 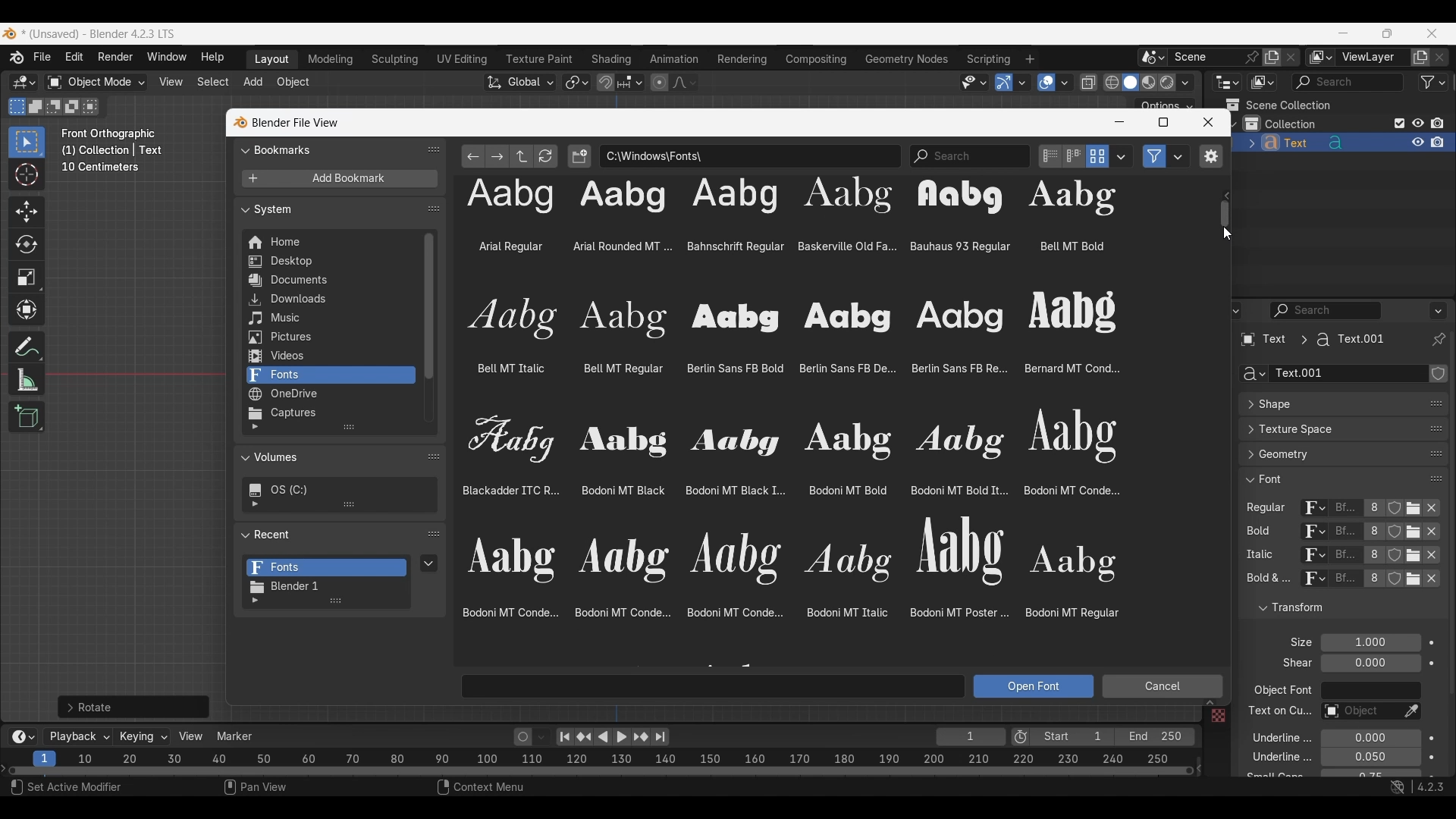 What do you see at coordinates (213, 83) in the screenshot?
I see `Select menu` at bounding box center [213, 83].